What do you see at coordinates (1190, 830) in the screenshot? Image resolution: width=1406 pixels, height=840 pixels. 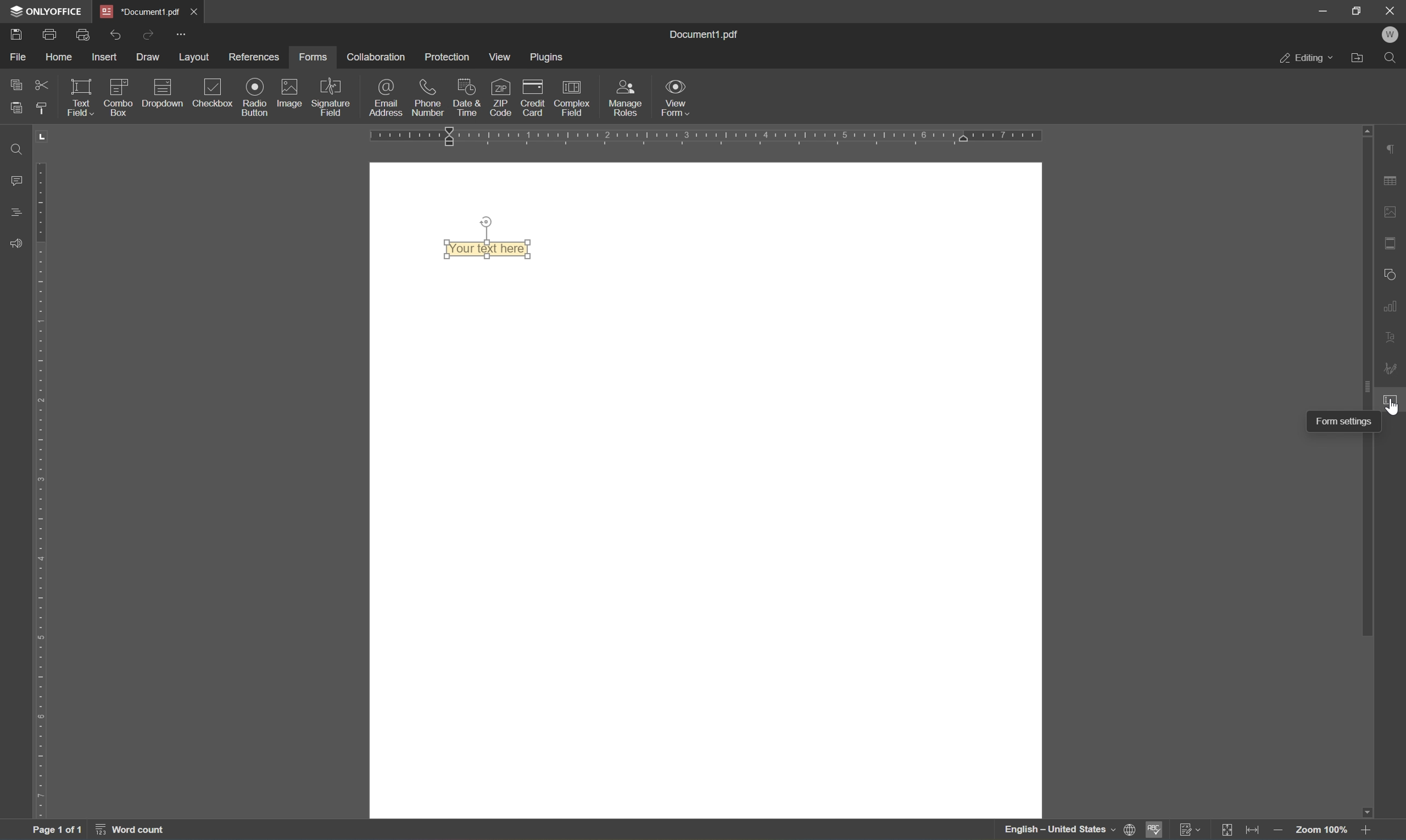 I see `track changes` at bounding box center [1190, 830].